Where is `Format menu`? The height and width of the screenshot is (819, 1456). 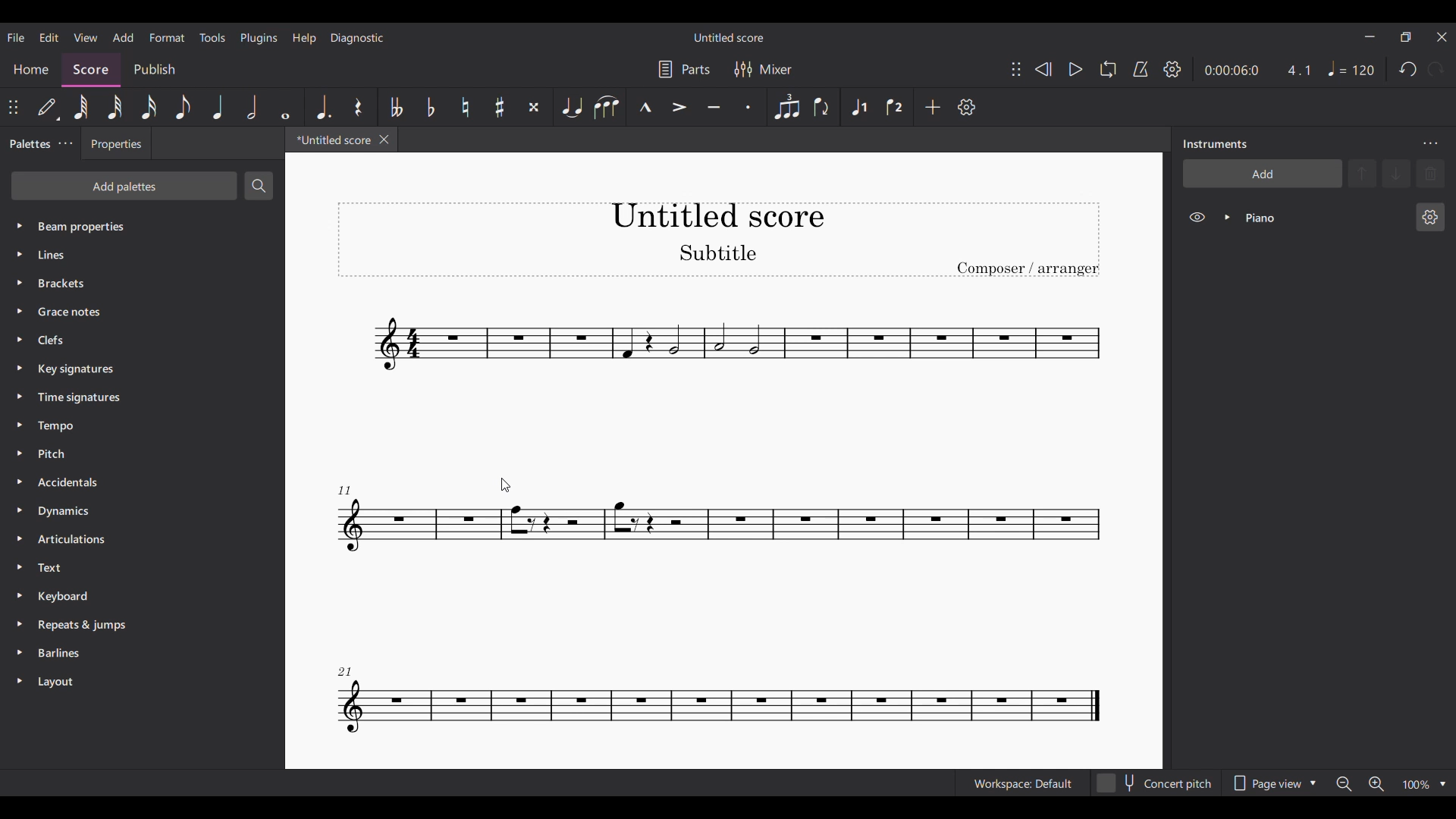 Format menu is located at coordinates (167, 37).